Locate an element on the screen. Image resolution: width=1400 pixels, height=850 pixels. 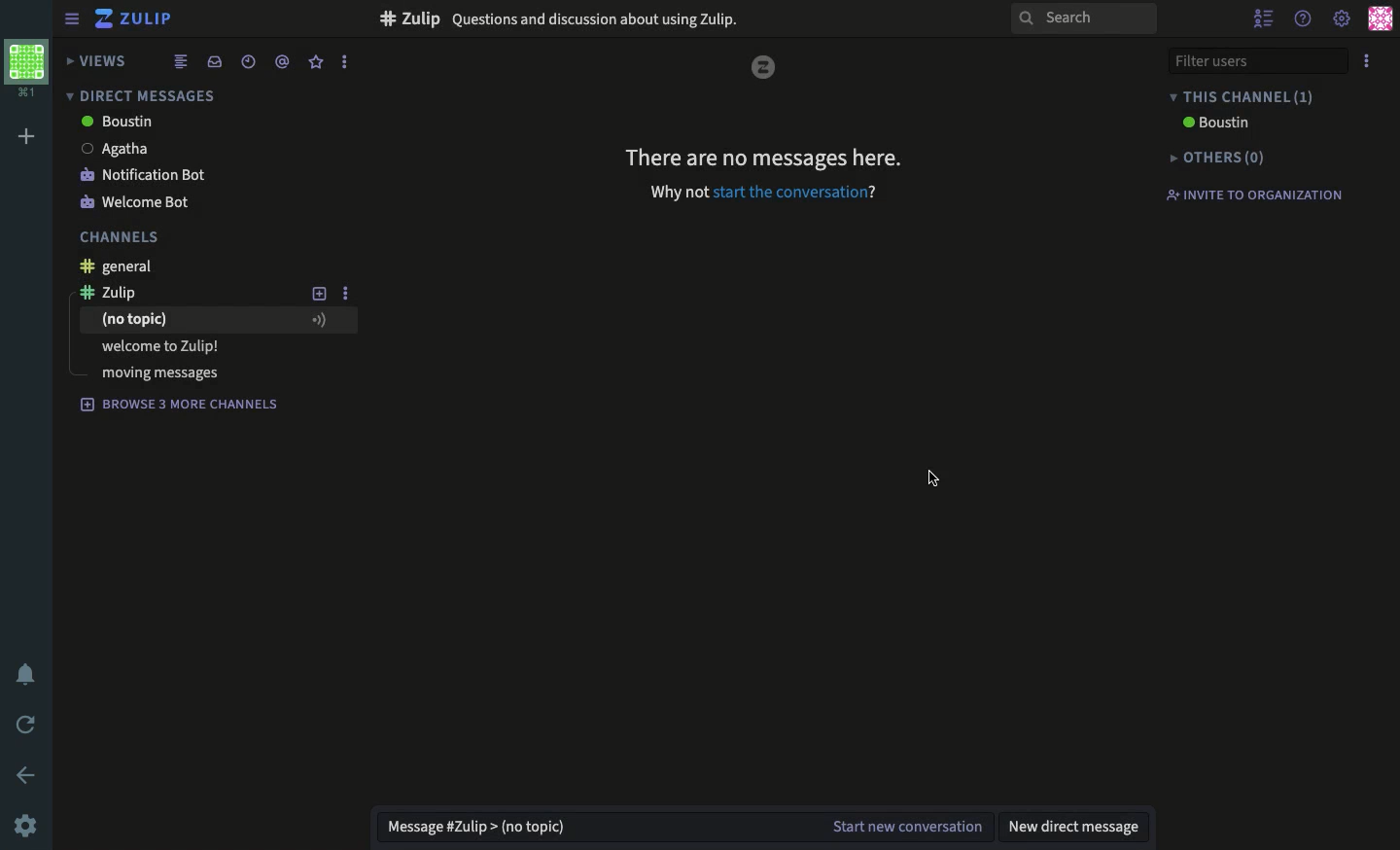
zulip is located at coordinates (765, 64).